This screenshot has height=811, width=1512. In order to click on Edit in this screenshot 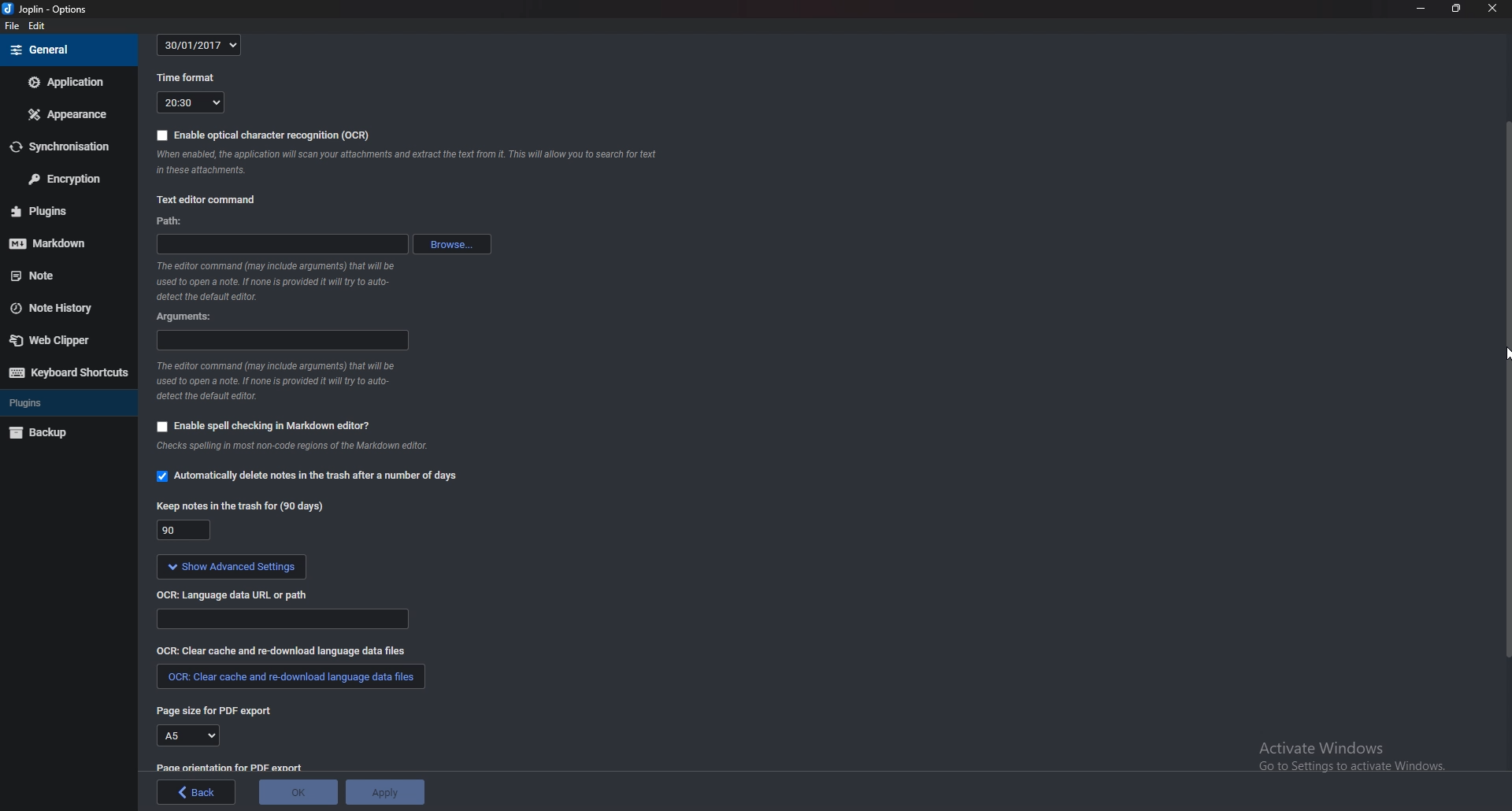, I will do `click(38, 26)`.